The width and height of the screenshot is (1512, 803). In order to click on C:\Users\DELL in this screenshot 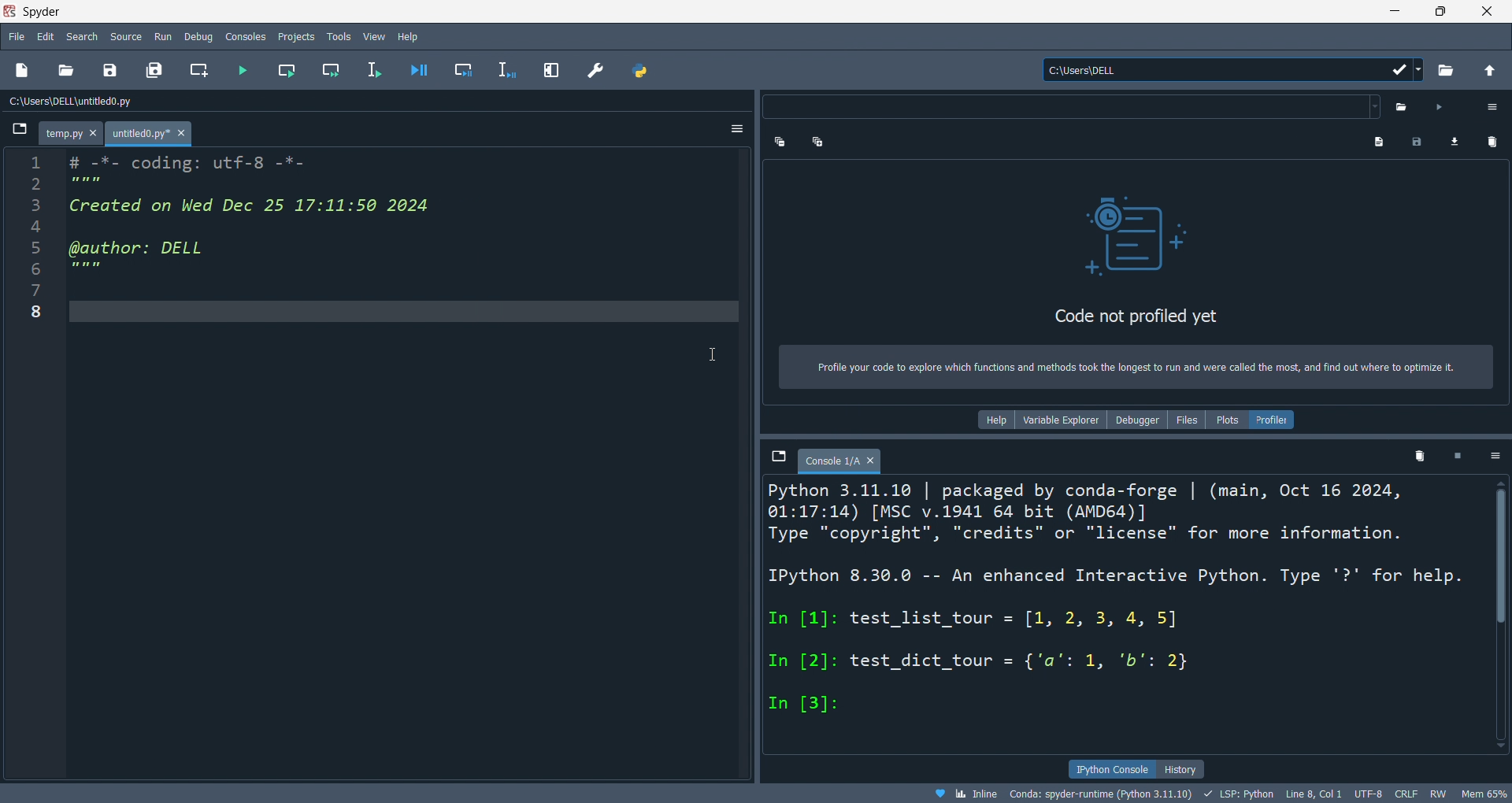, I will do `click(1231, 68)`.